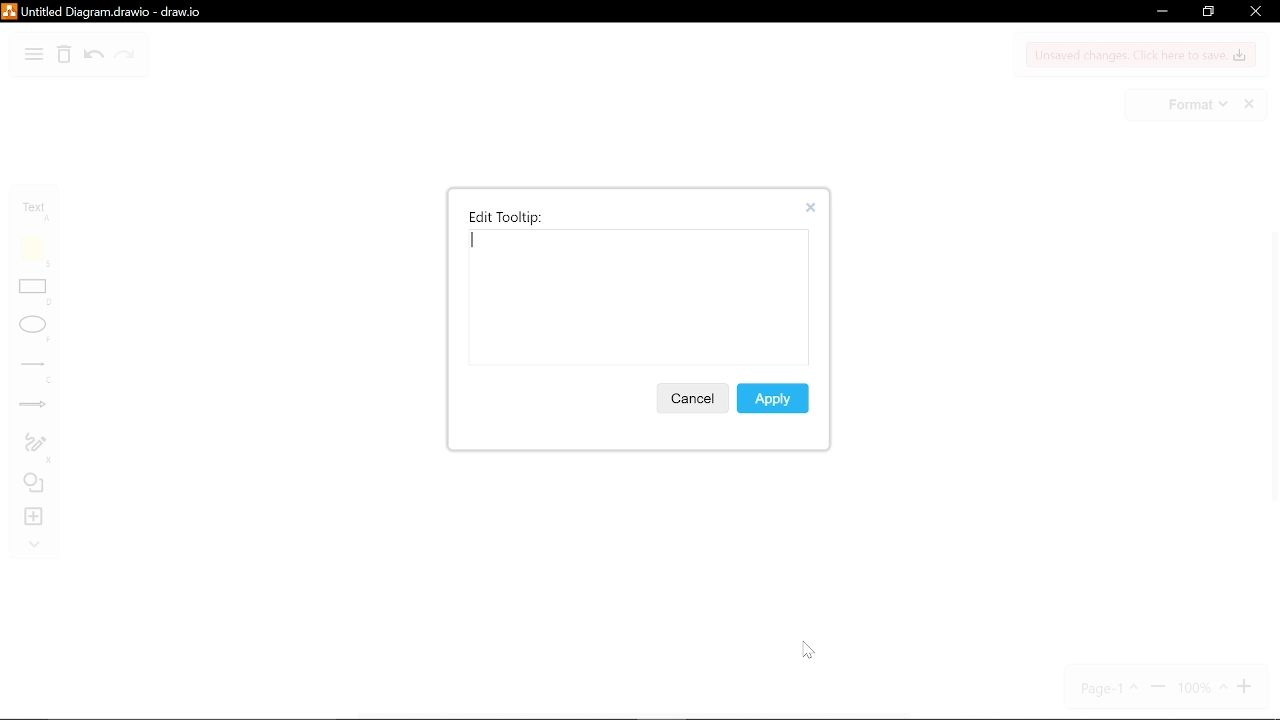 This screenshot has height=720, width=1280. I want to click on redo, so click(125, 57).